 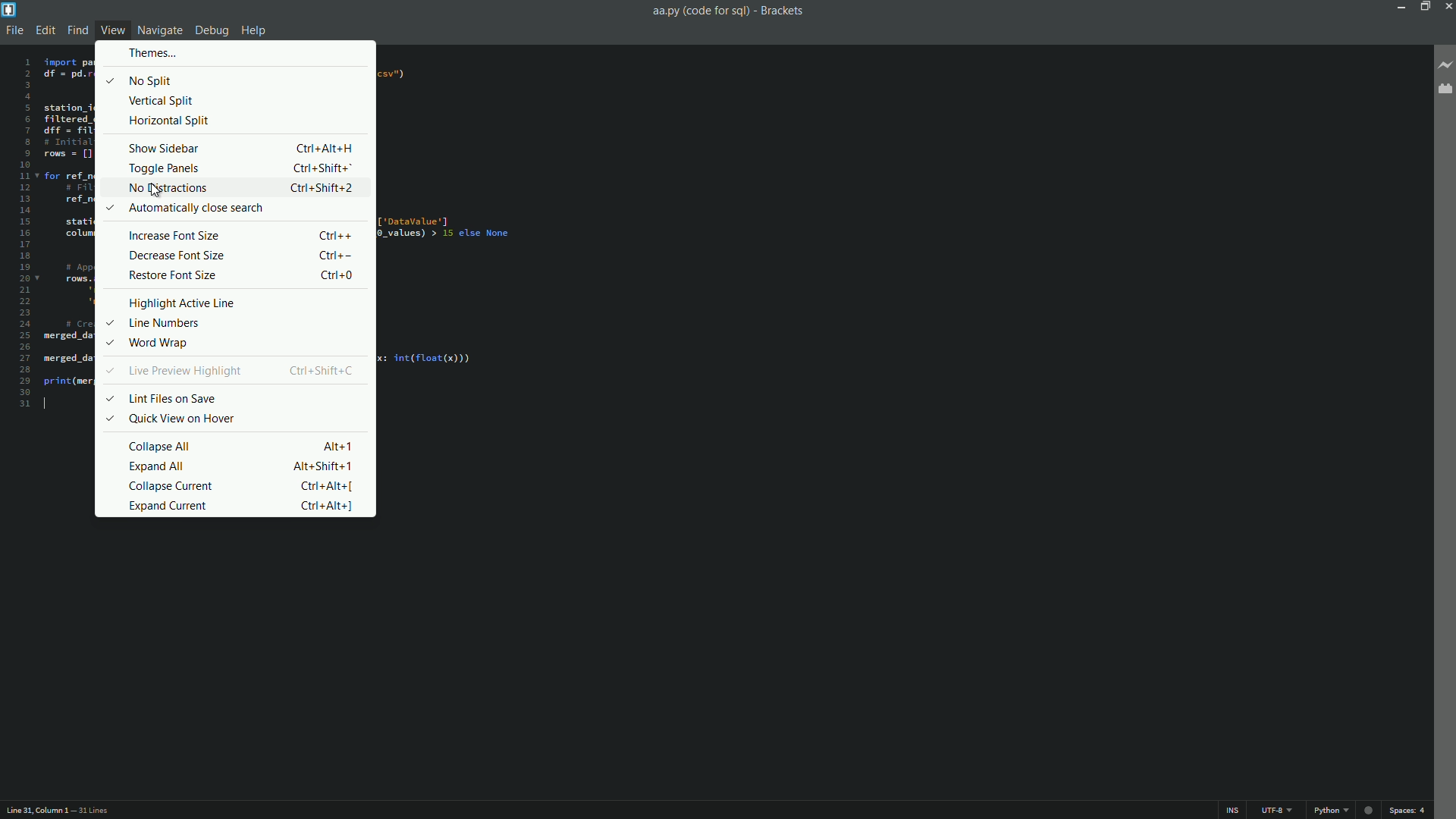 I want to click on automatically close search, so click(x=239, y=207).